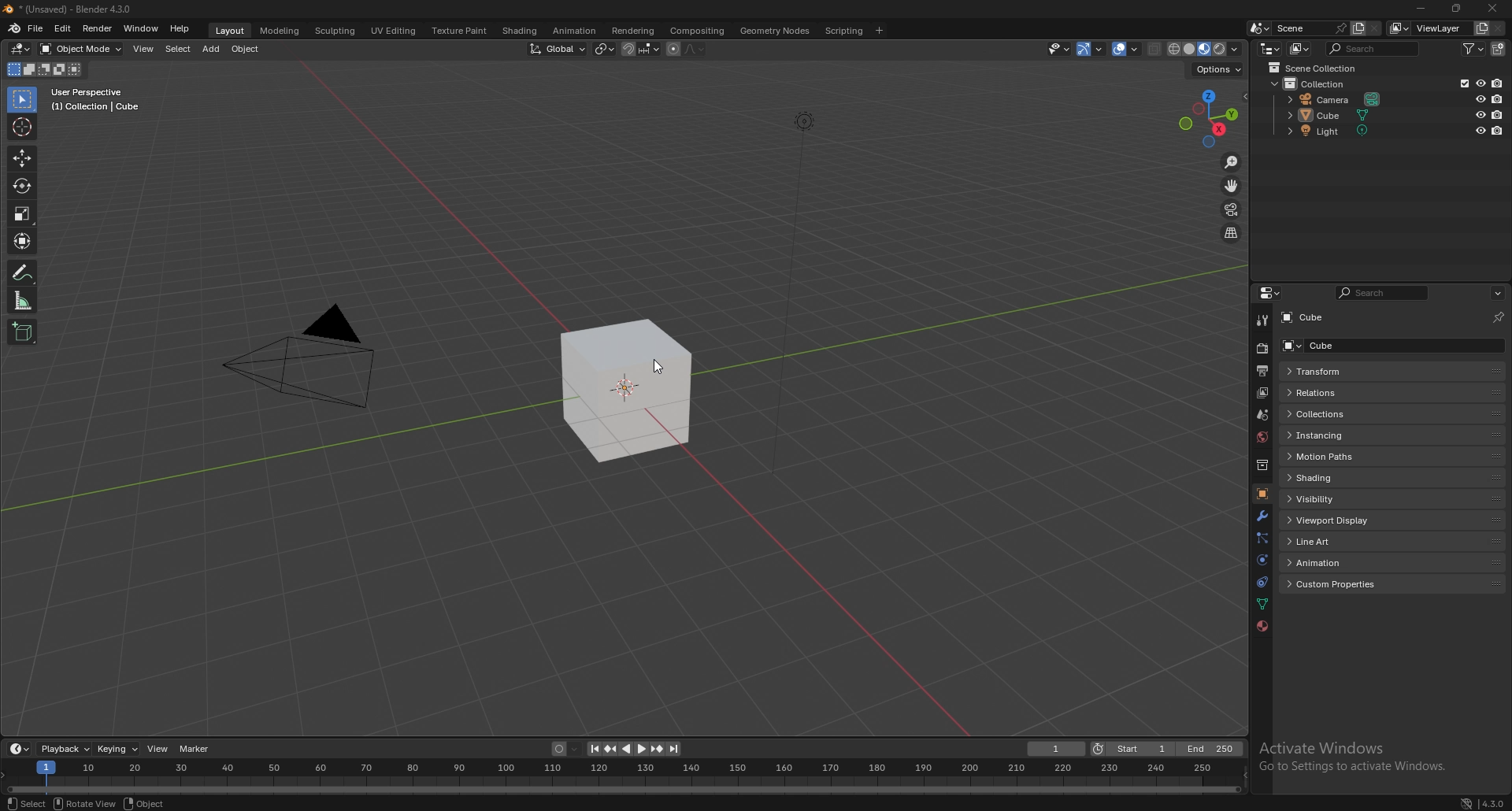  What do you see at coordinates (1299, 49) in the screenshot?
I see `display mode` at bounding box center [1299, 49].